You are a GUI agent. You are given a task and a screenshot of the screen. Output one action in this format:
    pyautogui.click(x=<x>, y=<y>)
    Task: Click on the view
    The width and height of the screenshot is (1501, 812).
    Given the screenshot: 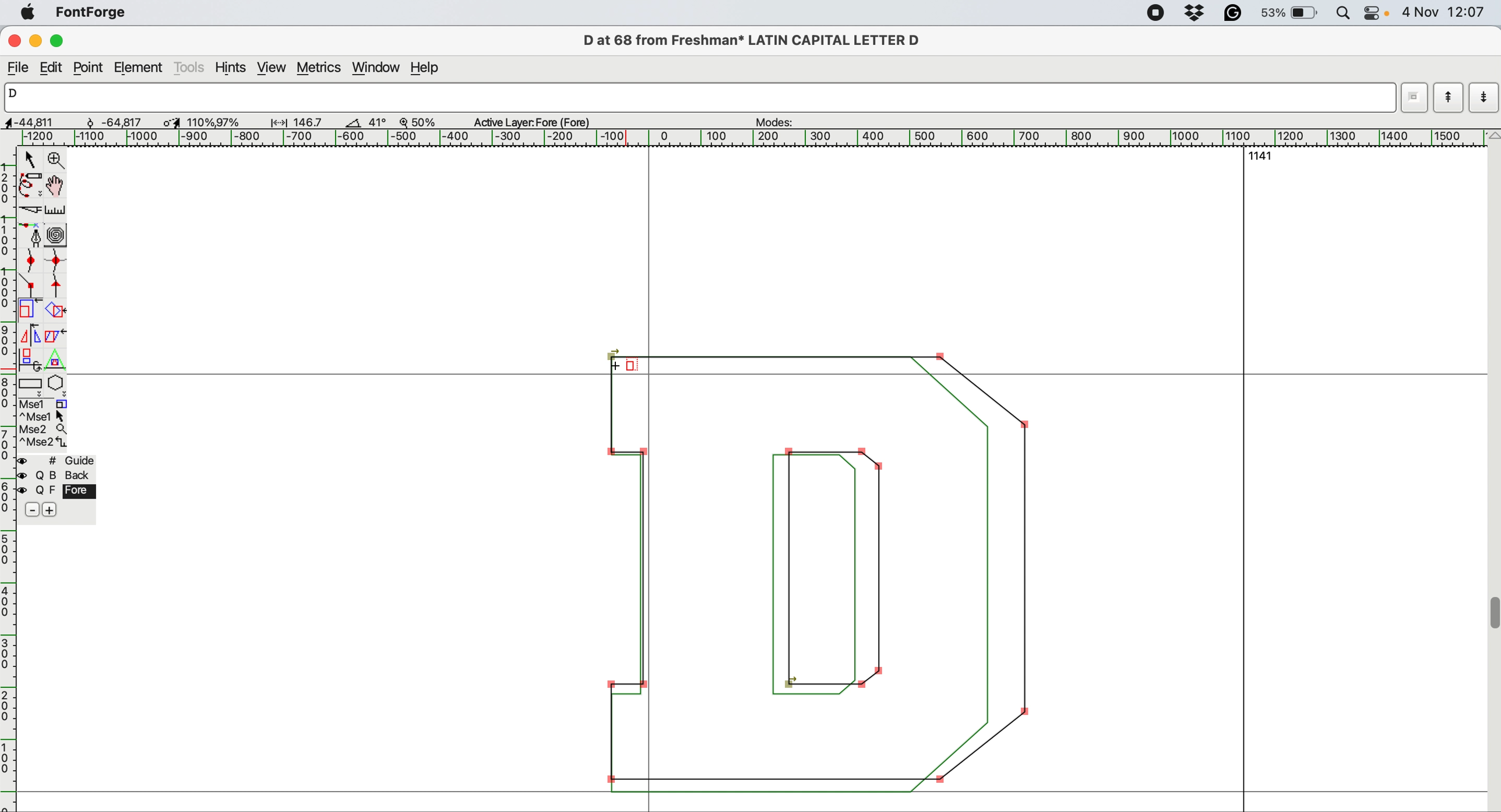 What is the action you would take?
    pyautogui.click(x=272, y=68)
    